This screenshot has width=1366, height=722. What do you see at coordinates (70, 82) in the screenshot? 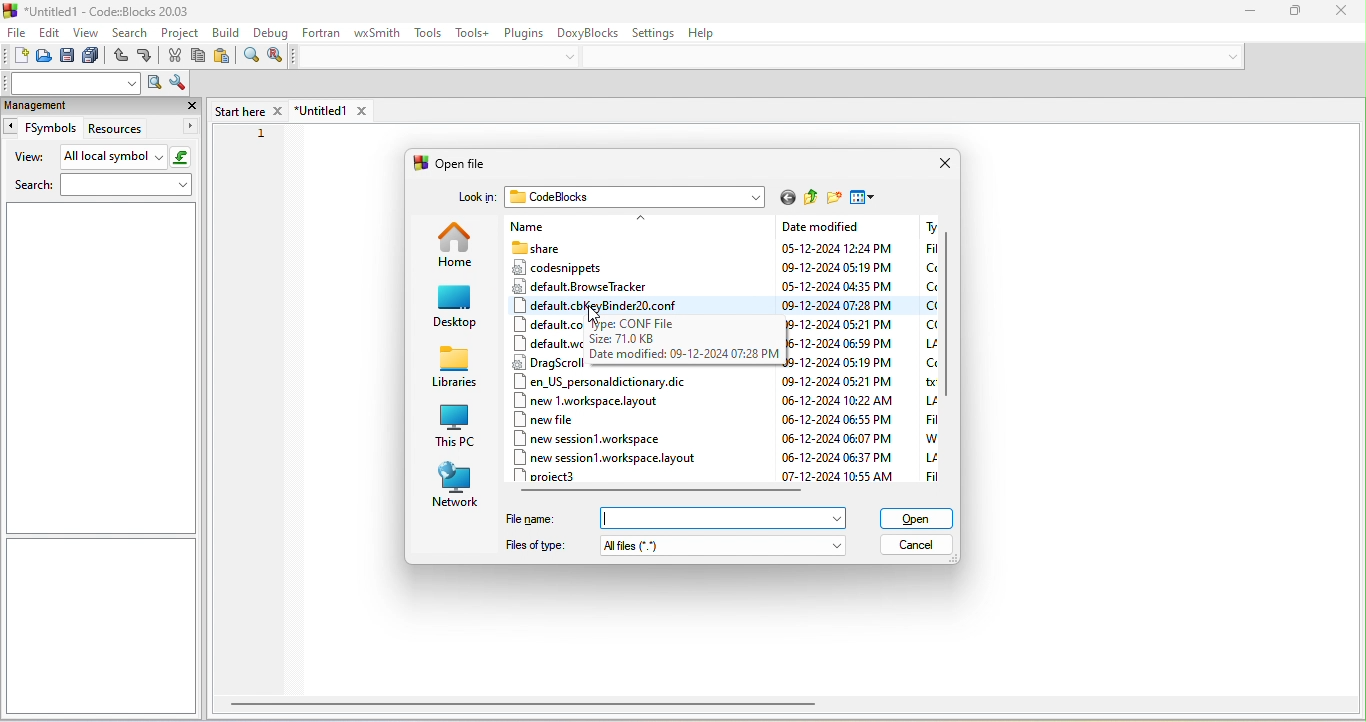
I see `search text` at bounding box center [70, 82].